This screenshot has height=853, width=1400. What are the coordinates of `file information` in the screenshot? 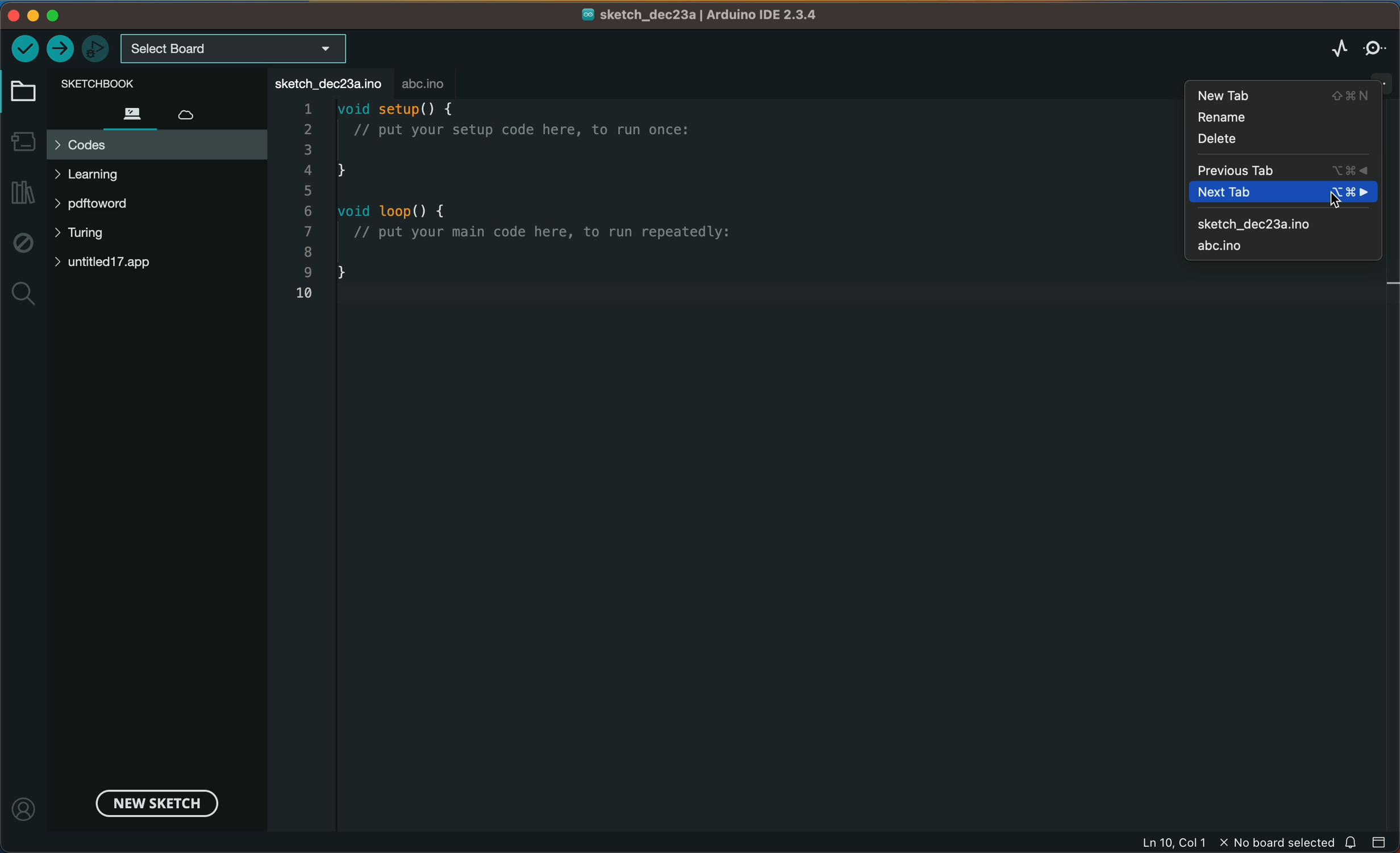 It's located at (1235, 840).